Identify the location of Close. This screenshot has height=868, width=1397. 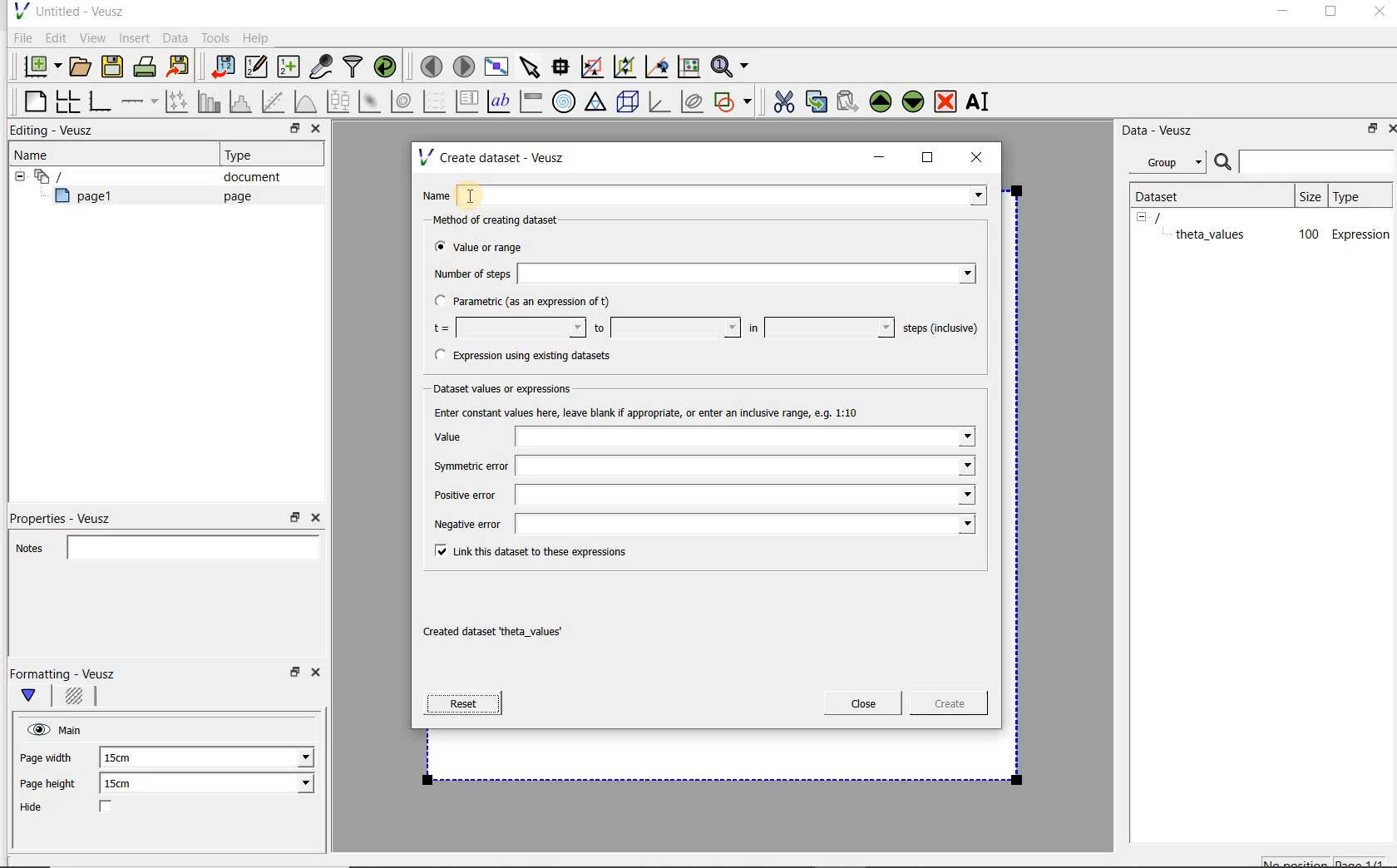
(1389, 127).